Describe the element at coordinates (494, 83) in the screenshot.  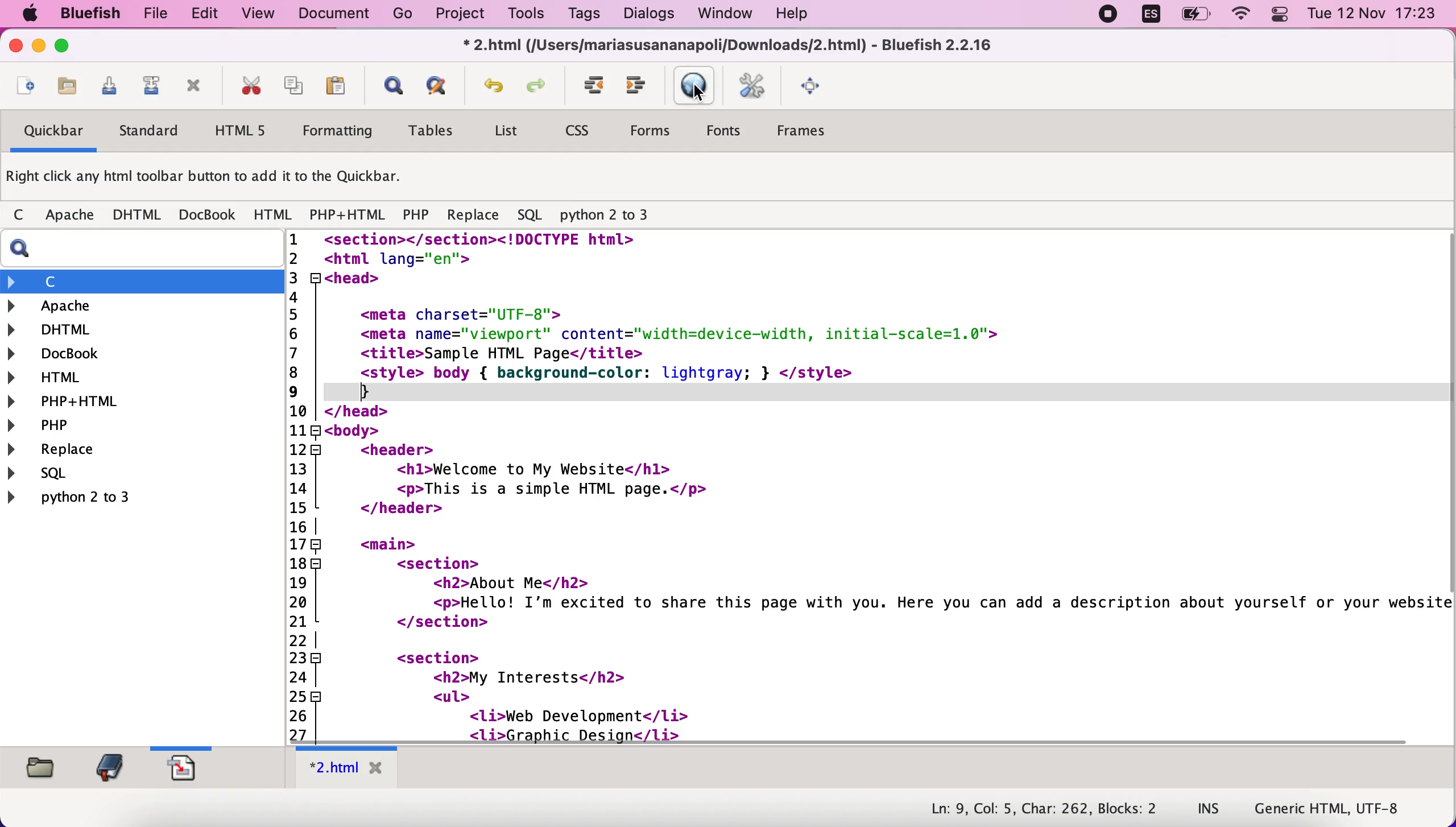
I see `undo` at that location.